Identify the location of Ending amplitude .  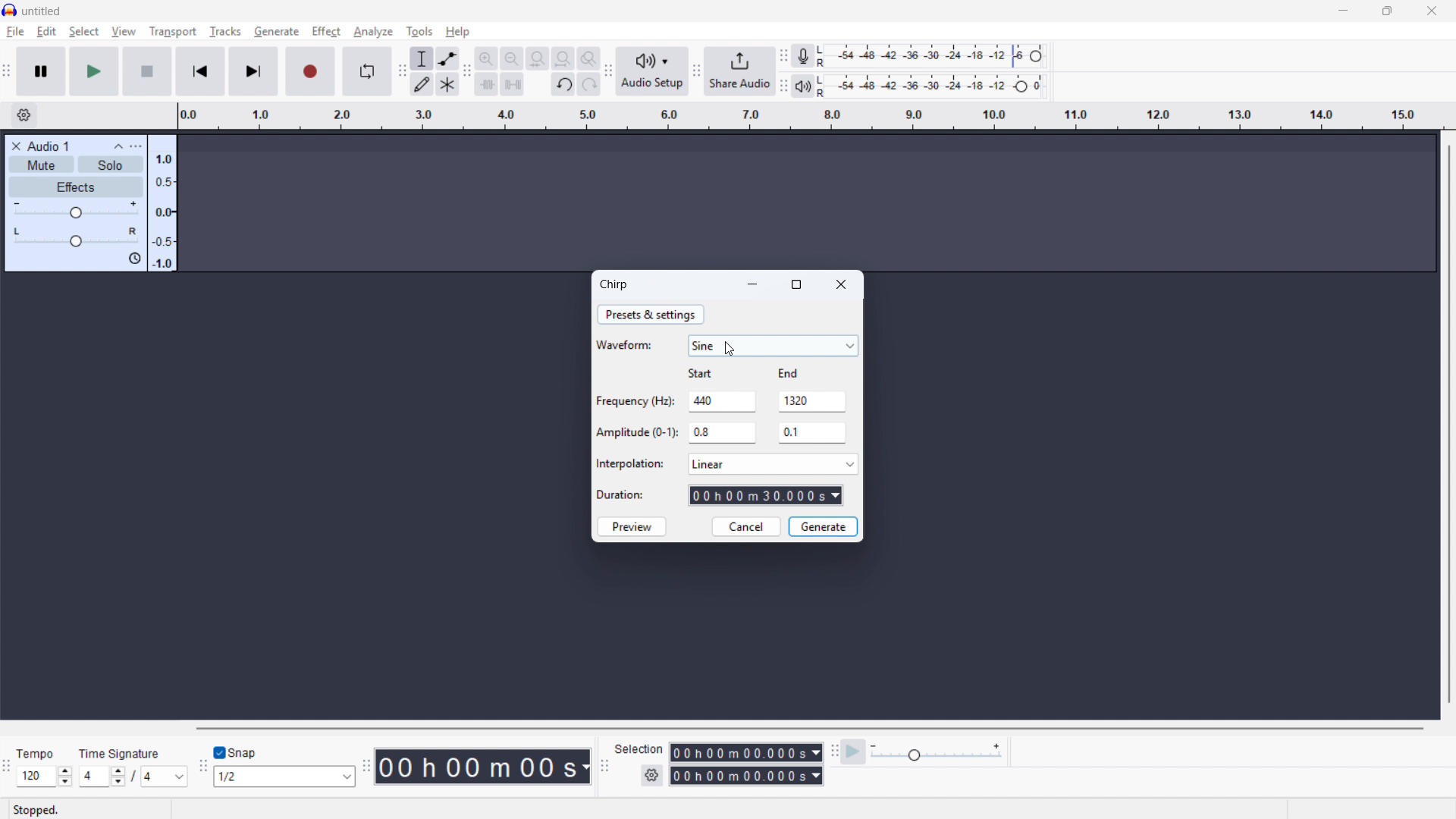
(811, 432).